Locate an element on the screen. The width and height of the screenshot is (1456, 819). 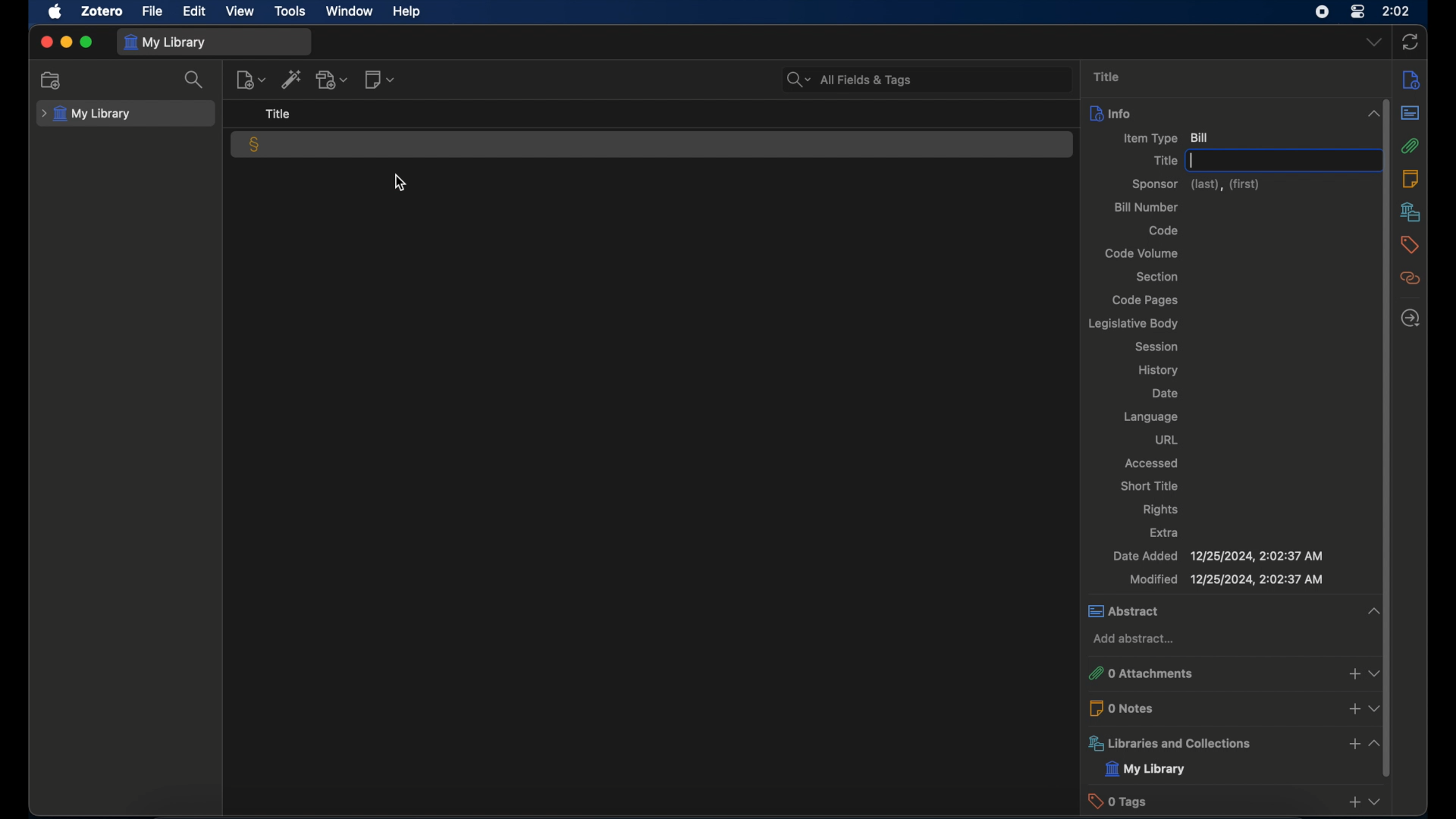
abstract is located at coordinates (1410, 112).